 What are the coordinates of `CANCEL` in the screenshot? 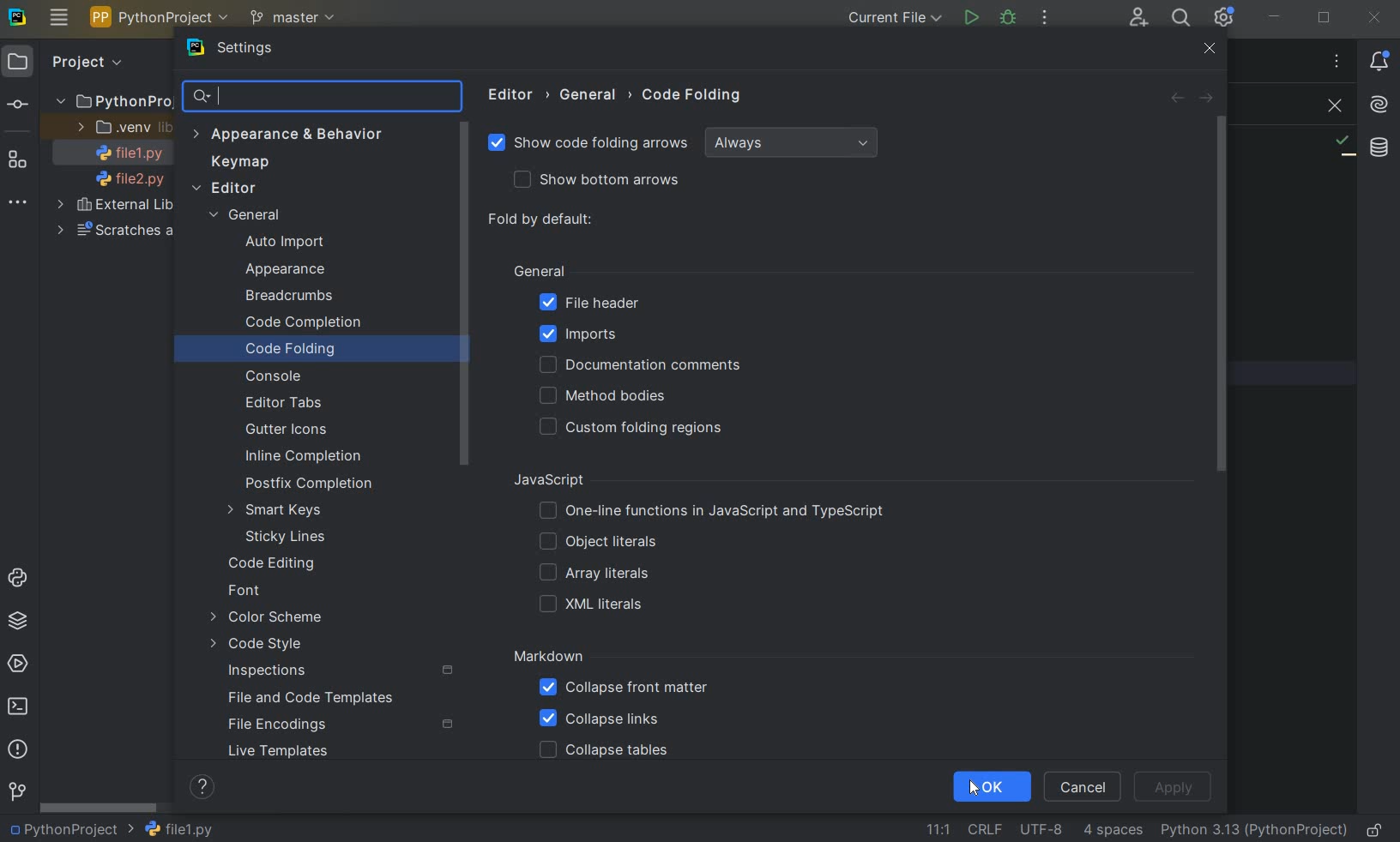 It's located at (1085, 785).